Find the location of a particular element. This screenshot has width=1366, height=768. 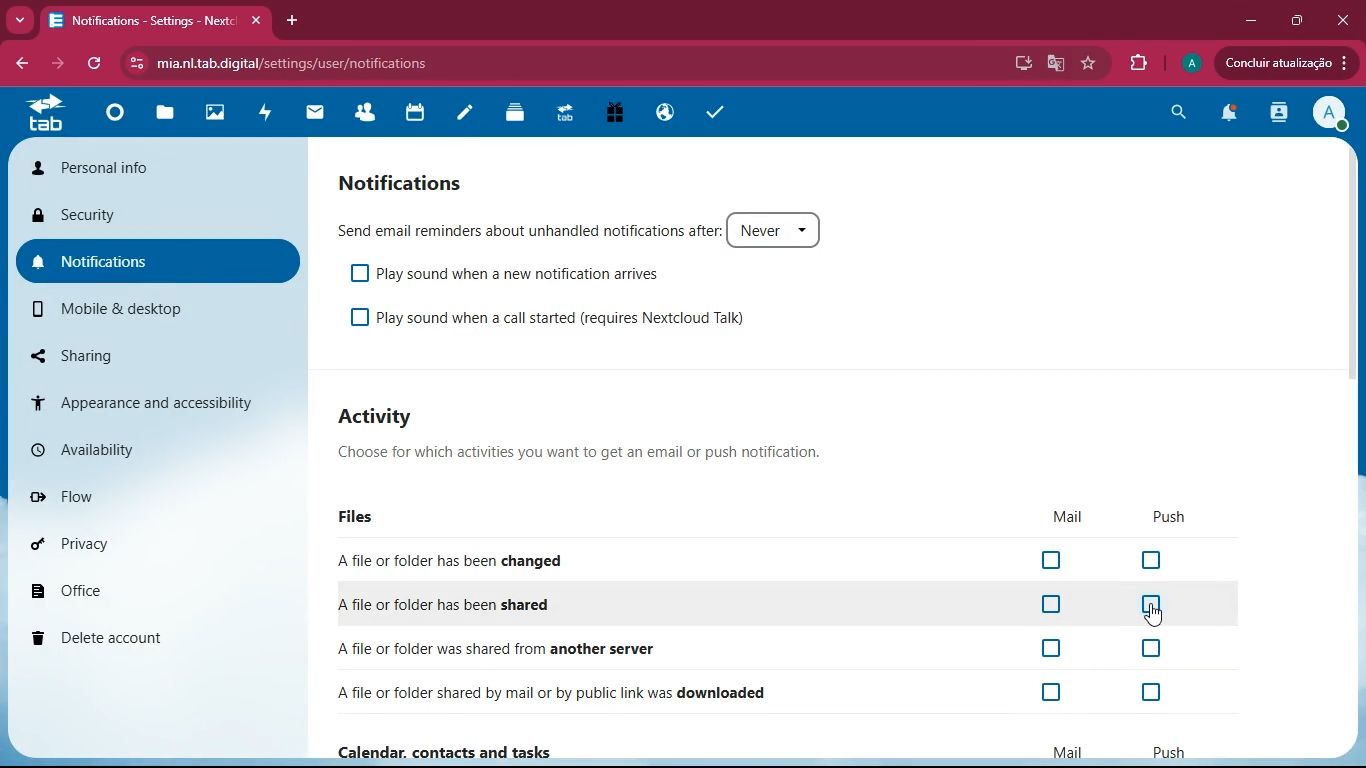

tasks is located at coordinates (715, 111).